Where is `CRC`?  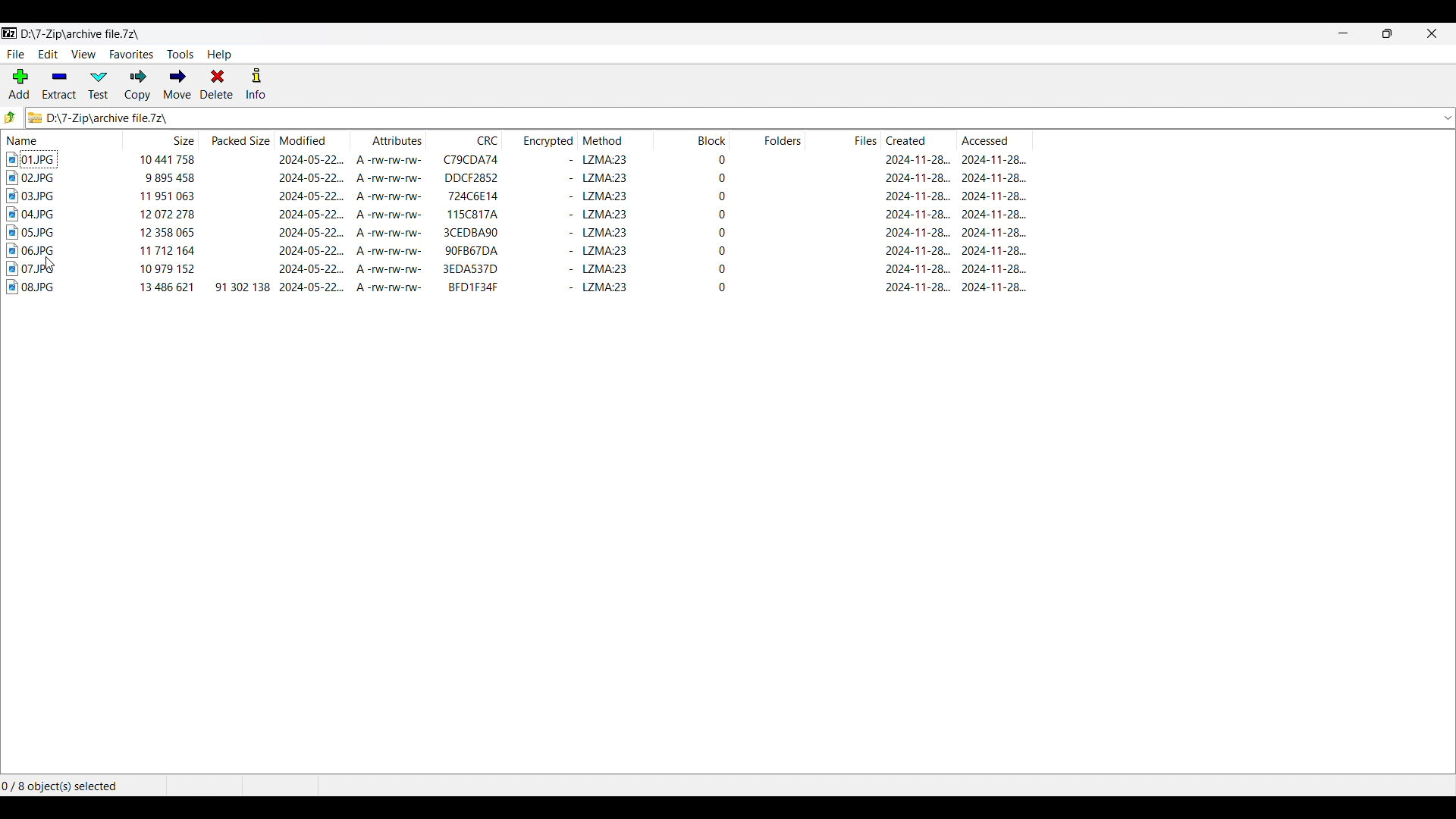 CRC is located at coordinates (471, 232).